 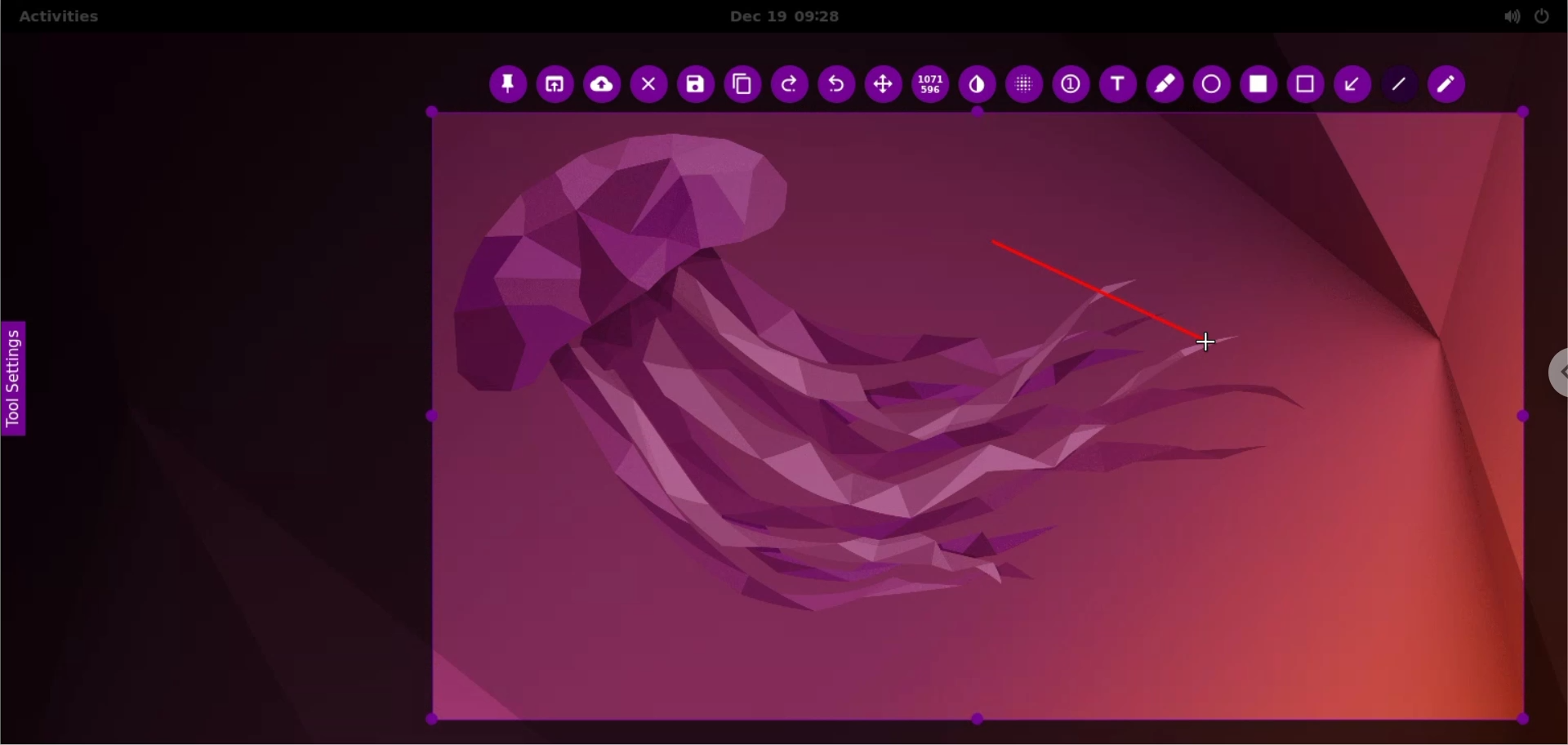 I want to click on tool settings, so click(x=19, y=384).